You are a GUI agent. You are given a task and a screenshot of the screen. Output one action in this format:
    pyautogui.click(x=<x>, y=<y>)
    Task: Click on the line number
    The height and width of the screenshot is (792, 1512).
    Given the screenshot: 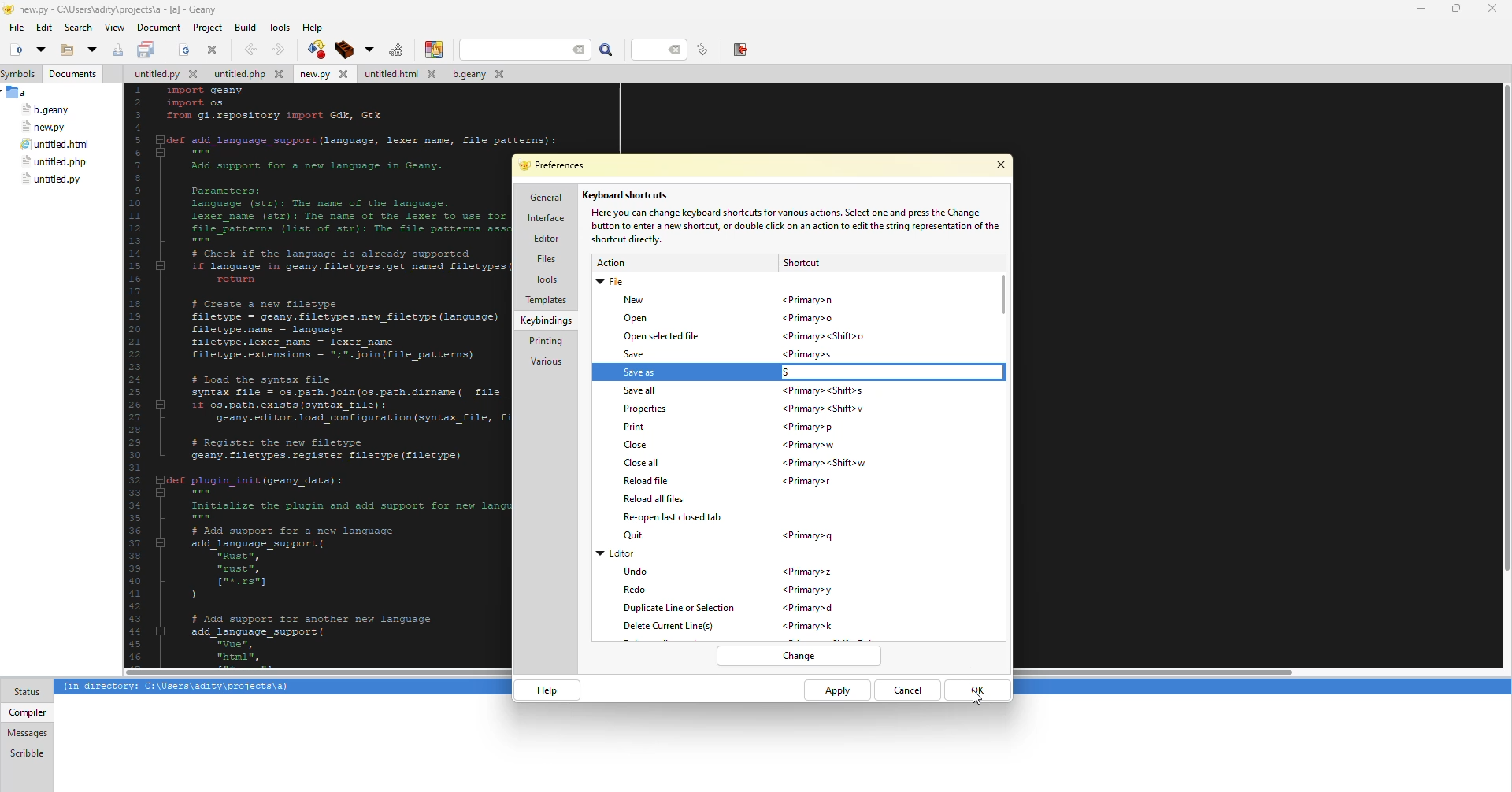 What is the action you would take?
    pyautogui.click(x=702, y=50)
    